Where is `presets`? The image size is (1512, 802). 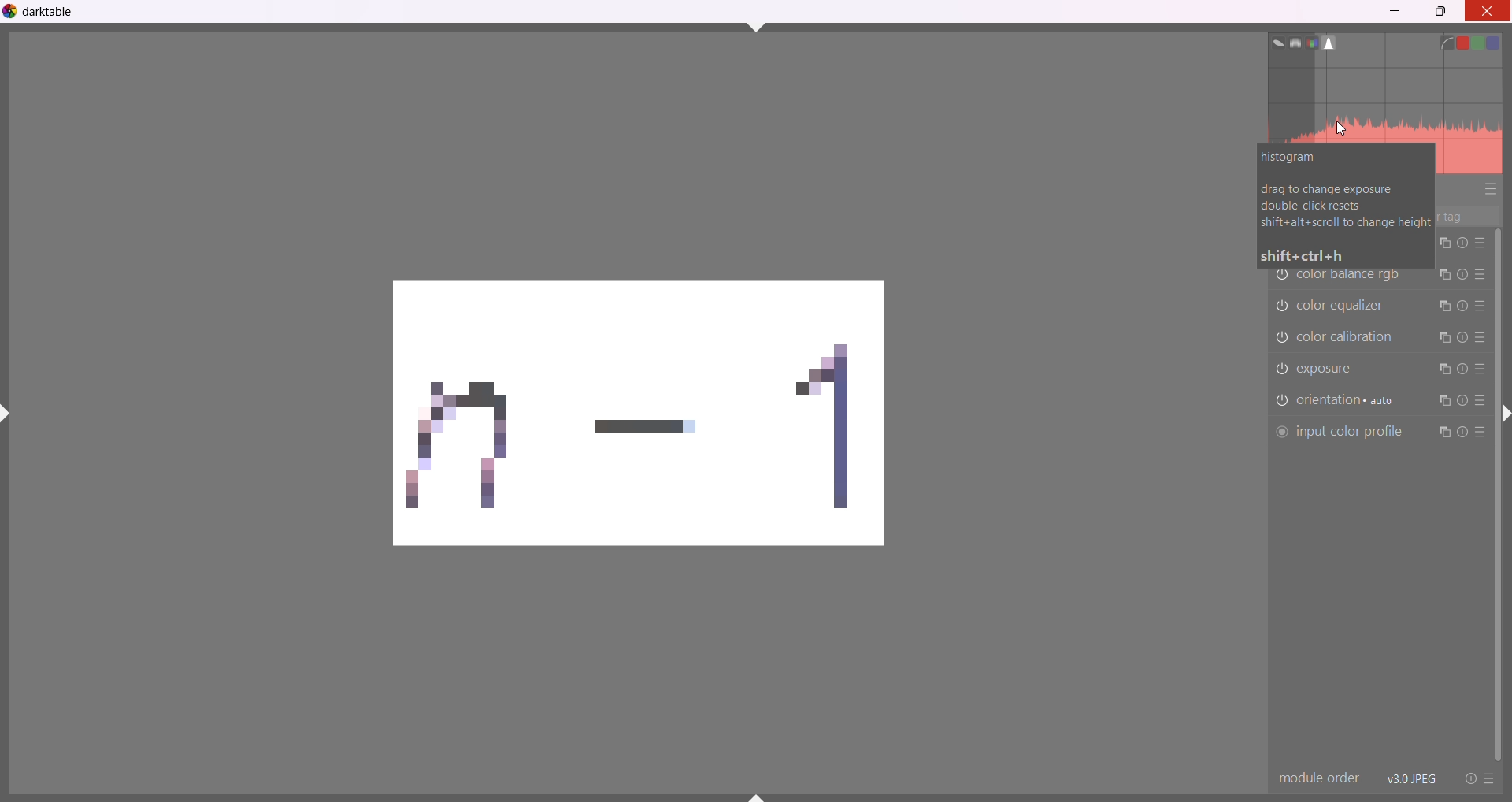 presets is located at coordinates (1480, 436).